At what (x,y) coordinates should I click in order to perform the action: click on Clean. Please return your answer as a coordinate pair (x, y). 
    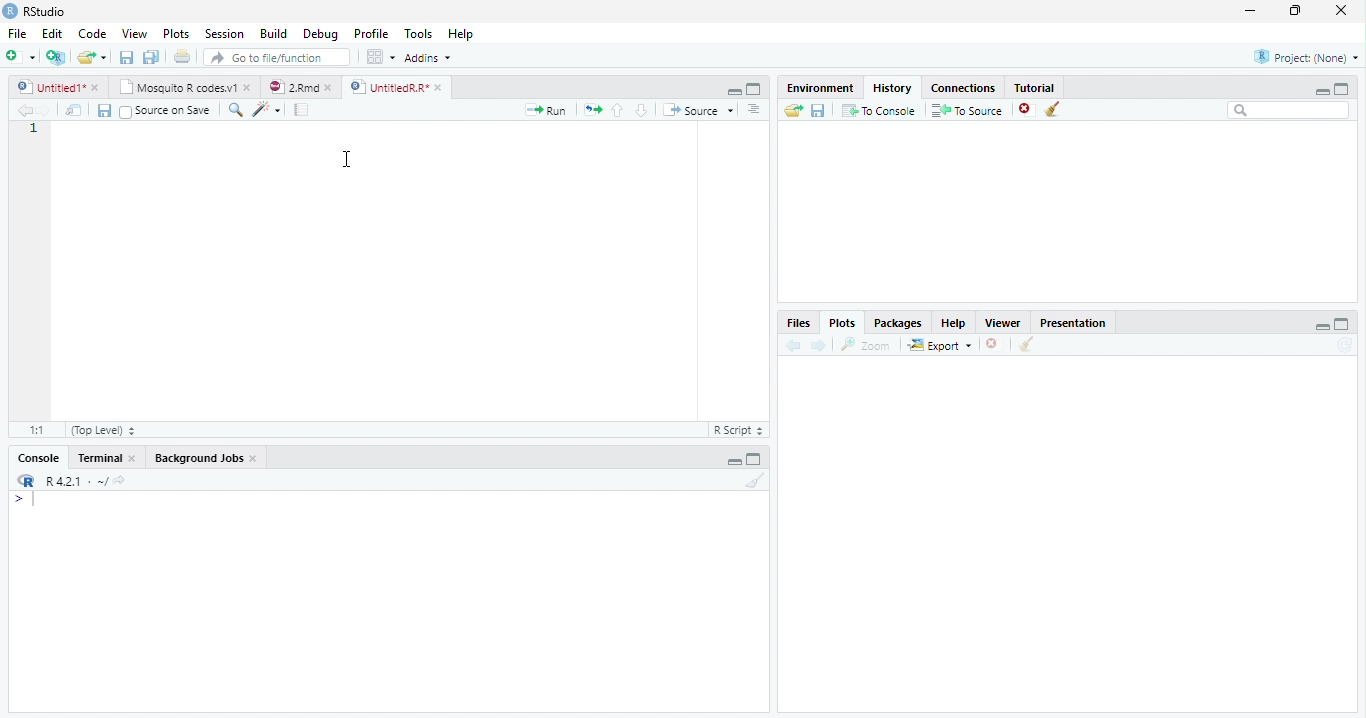
    Looking at the image, I should click on (1026, 345).